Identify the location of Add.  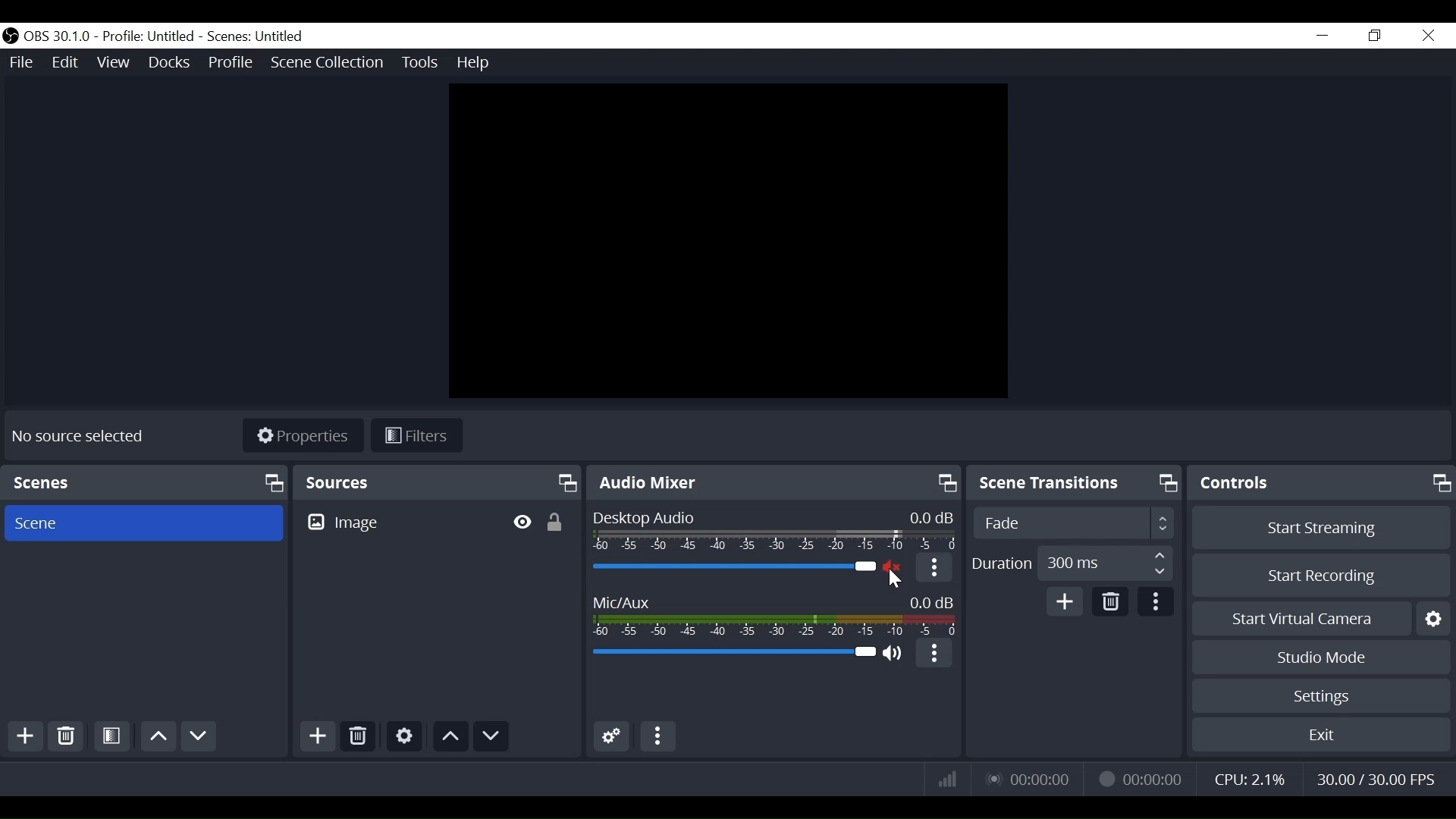
(1063, 601).